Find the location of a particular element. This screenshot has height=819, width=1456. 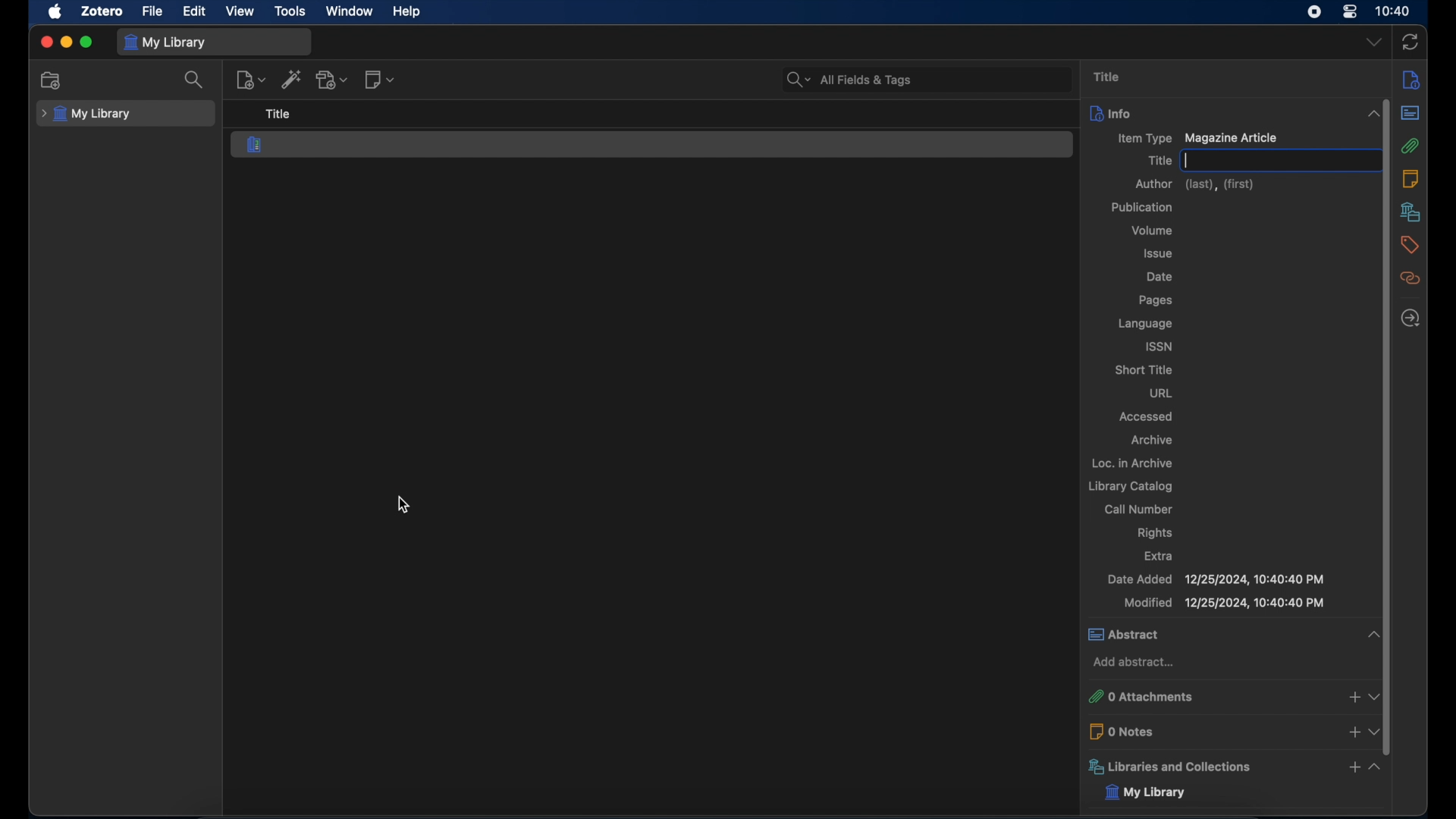

call number is located at coordinates (1138, 509).